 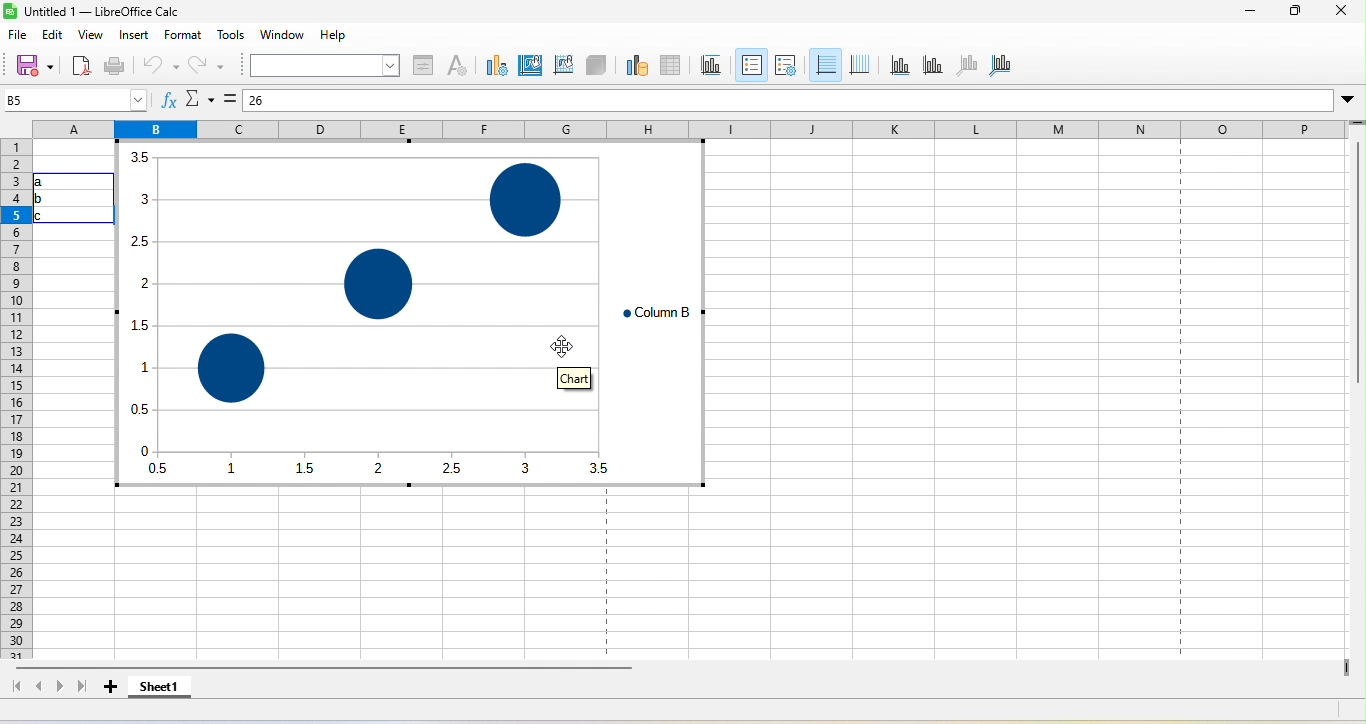 I want to click on add new sheet , so click(x=111, y=692).